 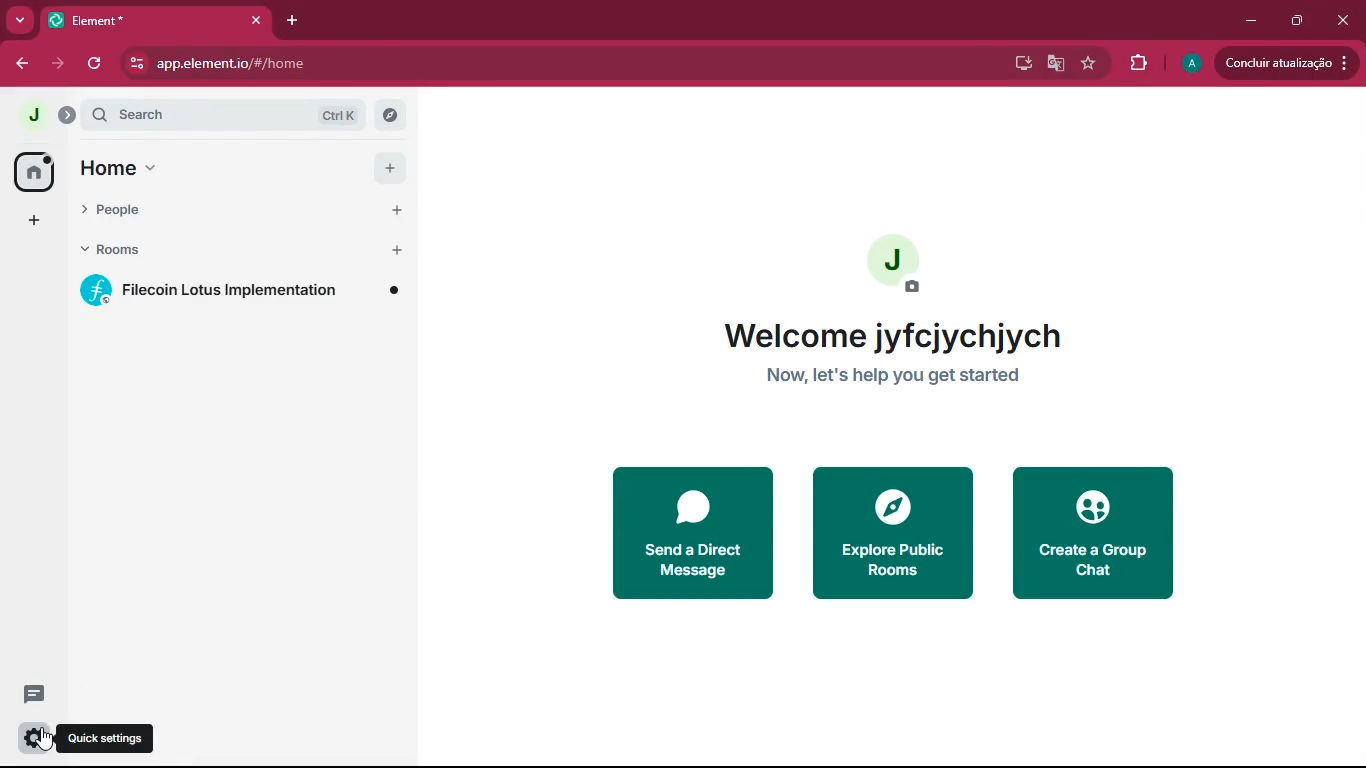 What do you see at coordinates (396, 64) in the screenshot?
I see `app.elementio/#/home` at bounding box center [396, 64].